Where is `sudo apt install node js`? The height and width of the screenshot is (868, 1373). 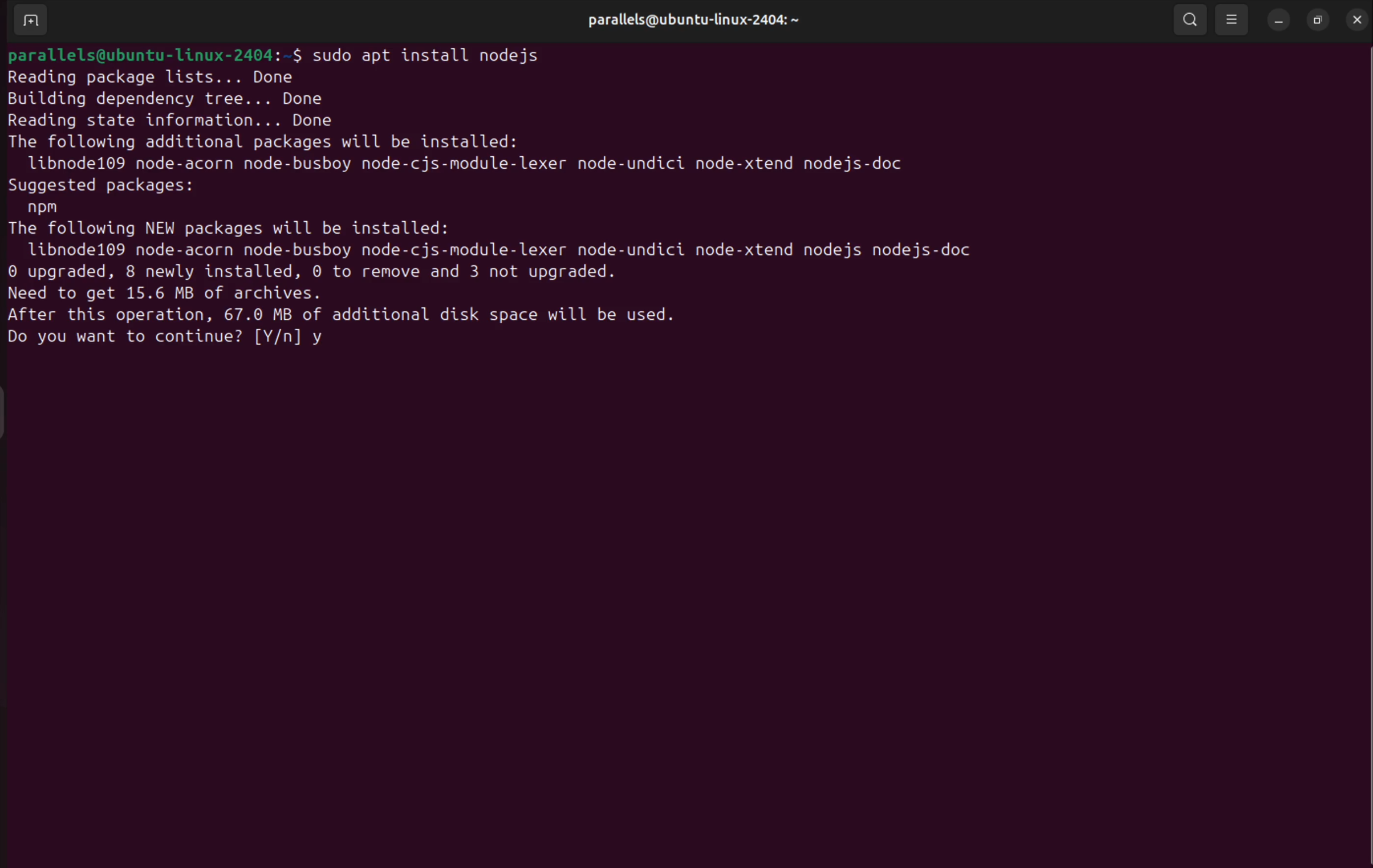
sudo apt install node js is located at coordinates (434, 52).